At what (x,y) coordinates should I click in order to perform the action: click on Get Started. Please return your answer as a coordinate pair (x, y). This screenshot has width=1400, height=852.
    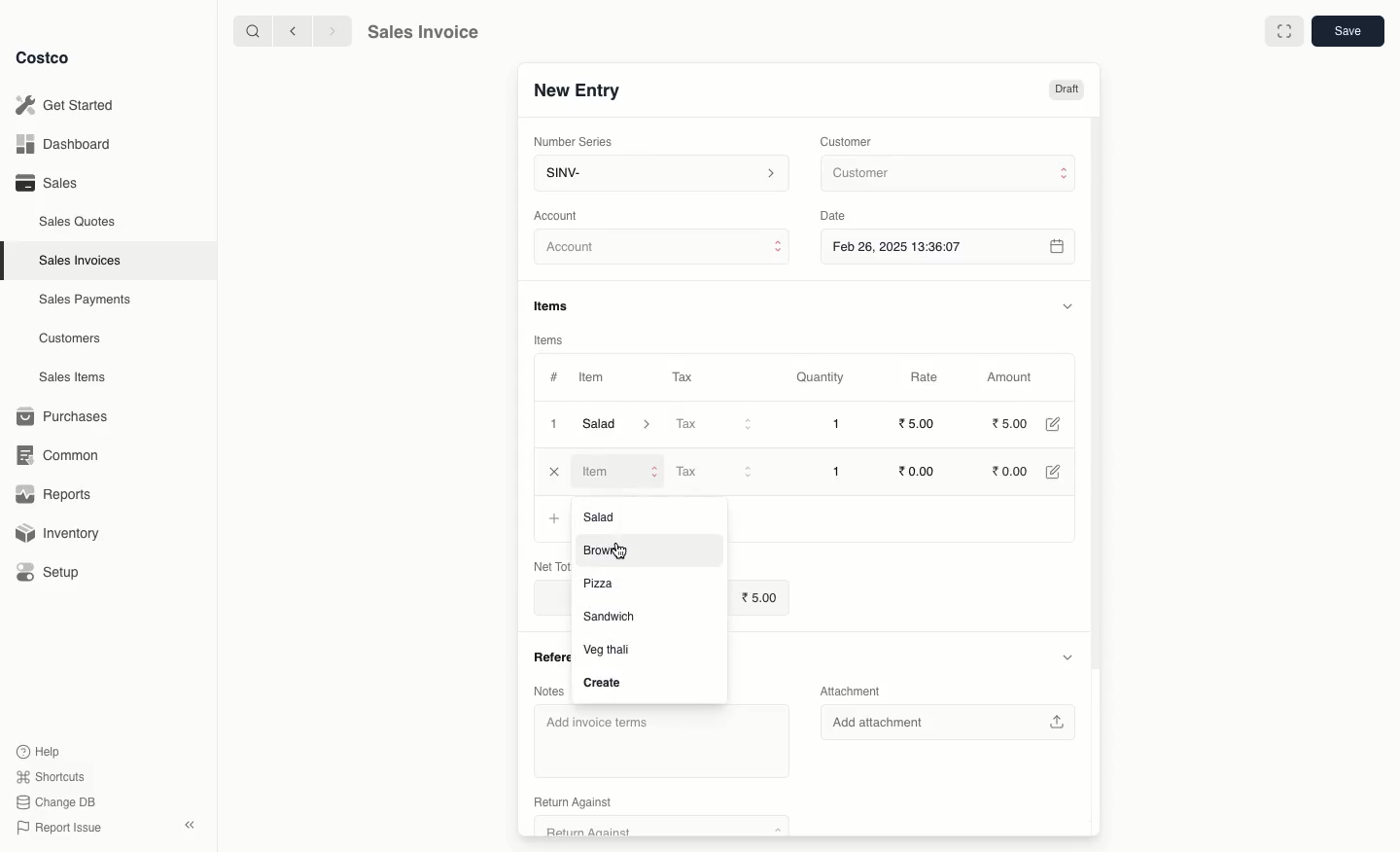
    Looking at the image, I should click on (64, 104).